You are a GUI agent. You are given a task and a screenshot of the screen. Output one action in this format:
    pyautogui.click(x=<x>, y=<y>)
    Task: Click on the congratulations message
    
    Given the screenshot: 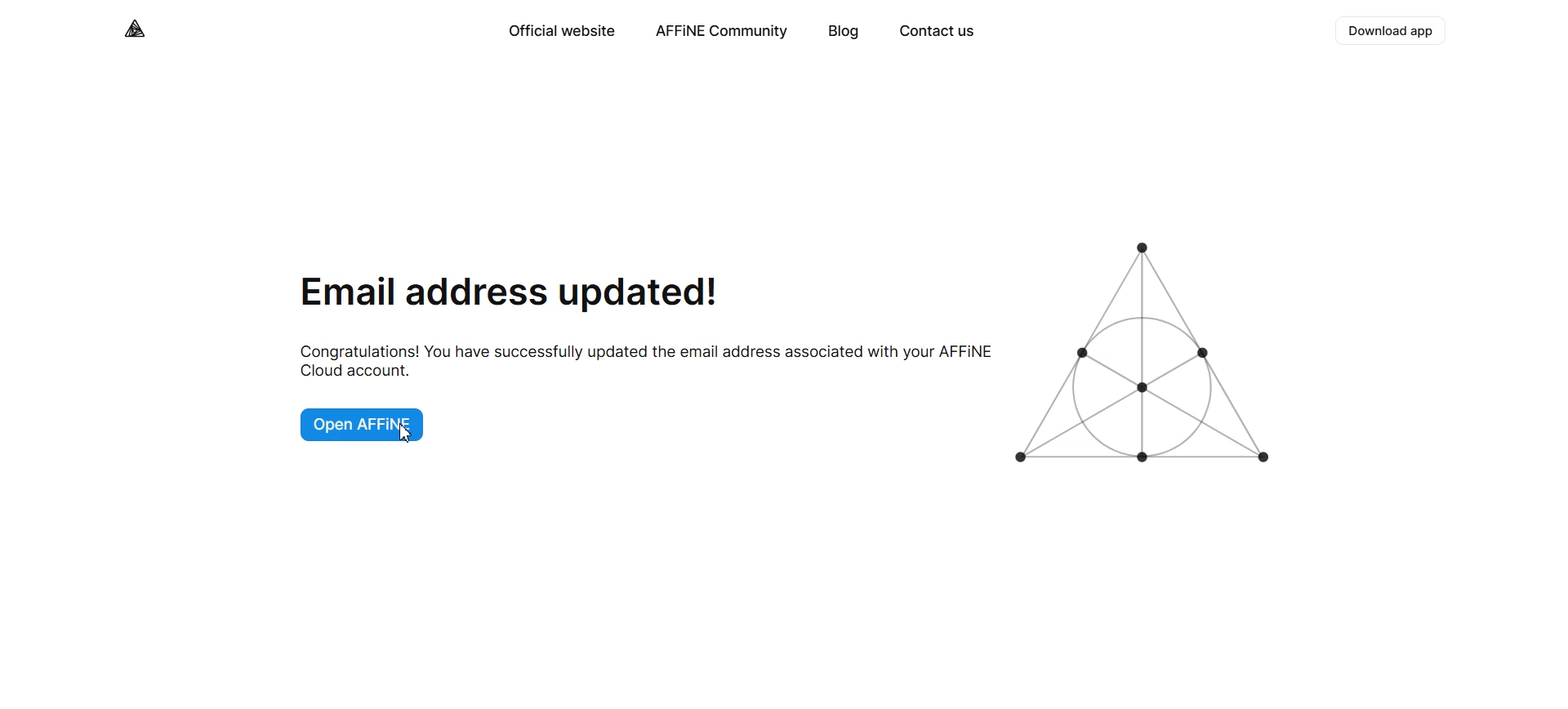 What is the action you would take?
    pyautogui.click(x=642, y=361)
    